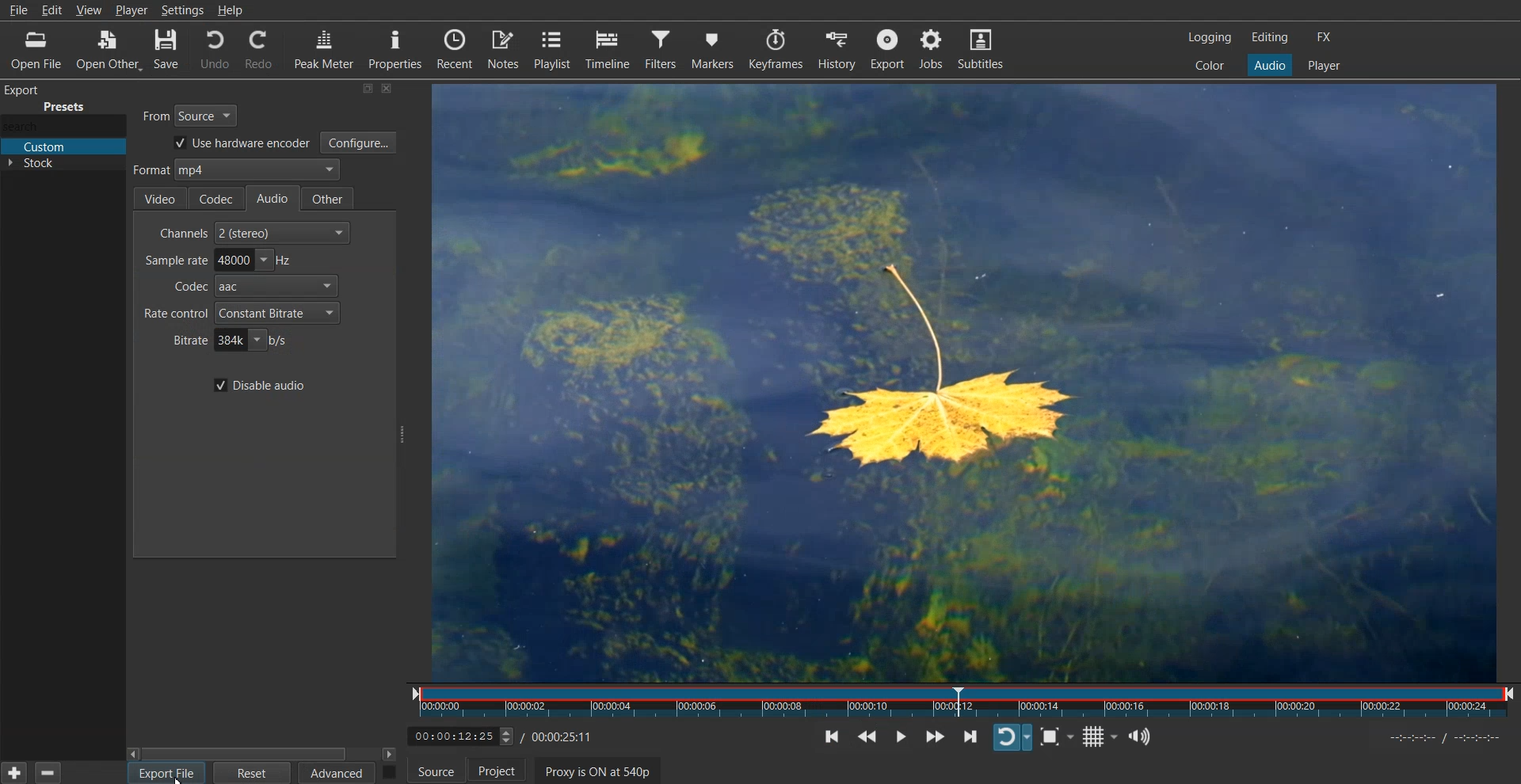 The height and width of the screenshot is (784, 1521). What do you see at coordinates (253, 773) in the screenshot?
I see `Reset` at bounding box center [253, 773].